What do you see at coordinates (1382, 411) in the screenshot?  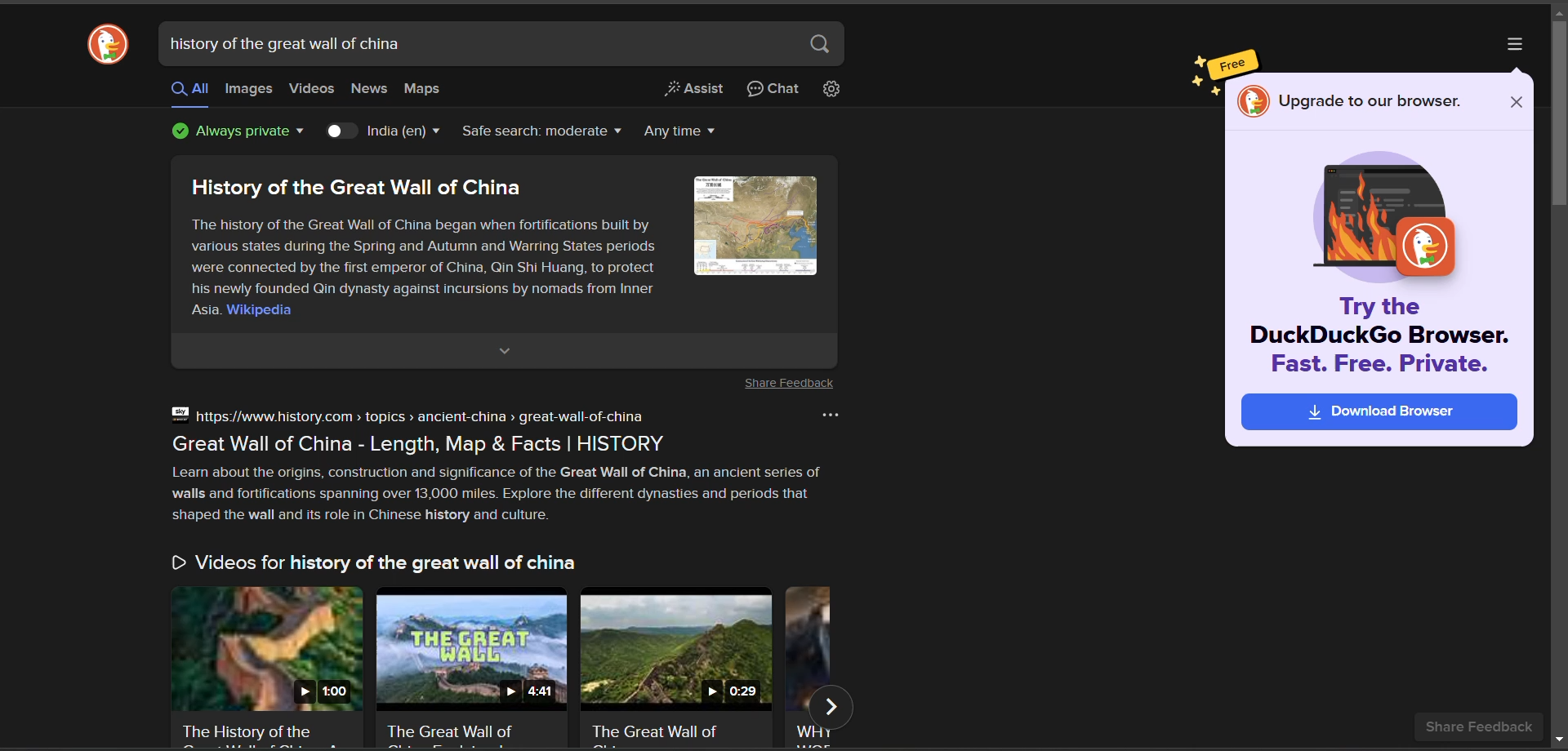 I see `download browser` at bounding box center [1382, 411].